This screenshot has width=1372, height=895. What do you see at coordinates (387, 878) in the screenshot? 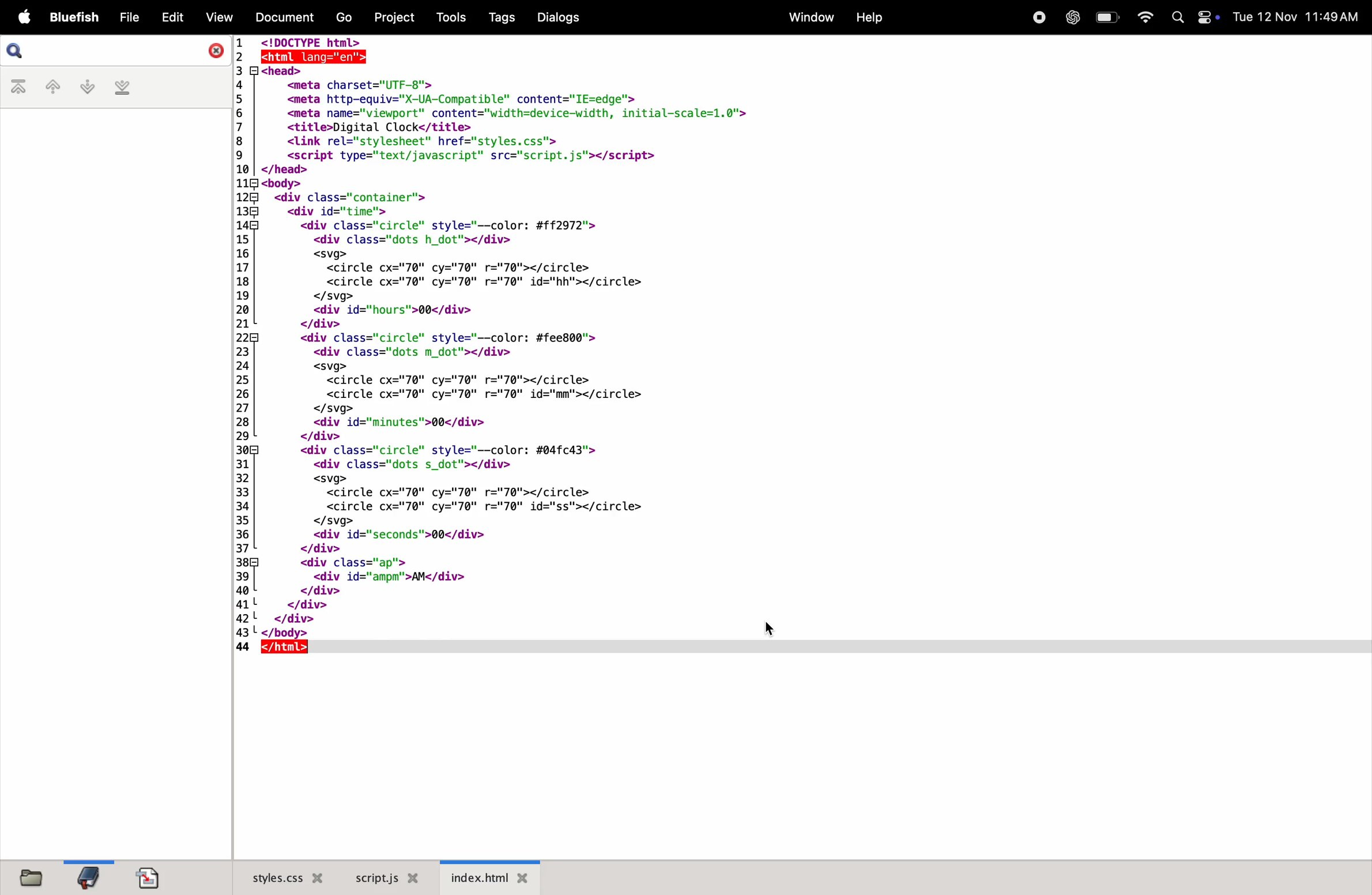
I see `script.js` at bounding box center [387, 878].